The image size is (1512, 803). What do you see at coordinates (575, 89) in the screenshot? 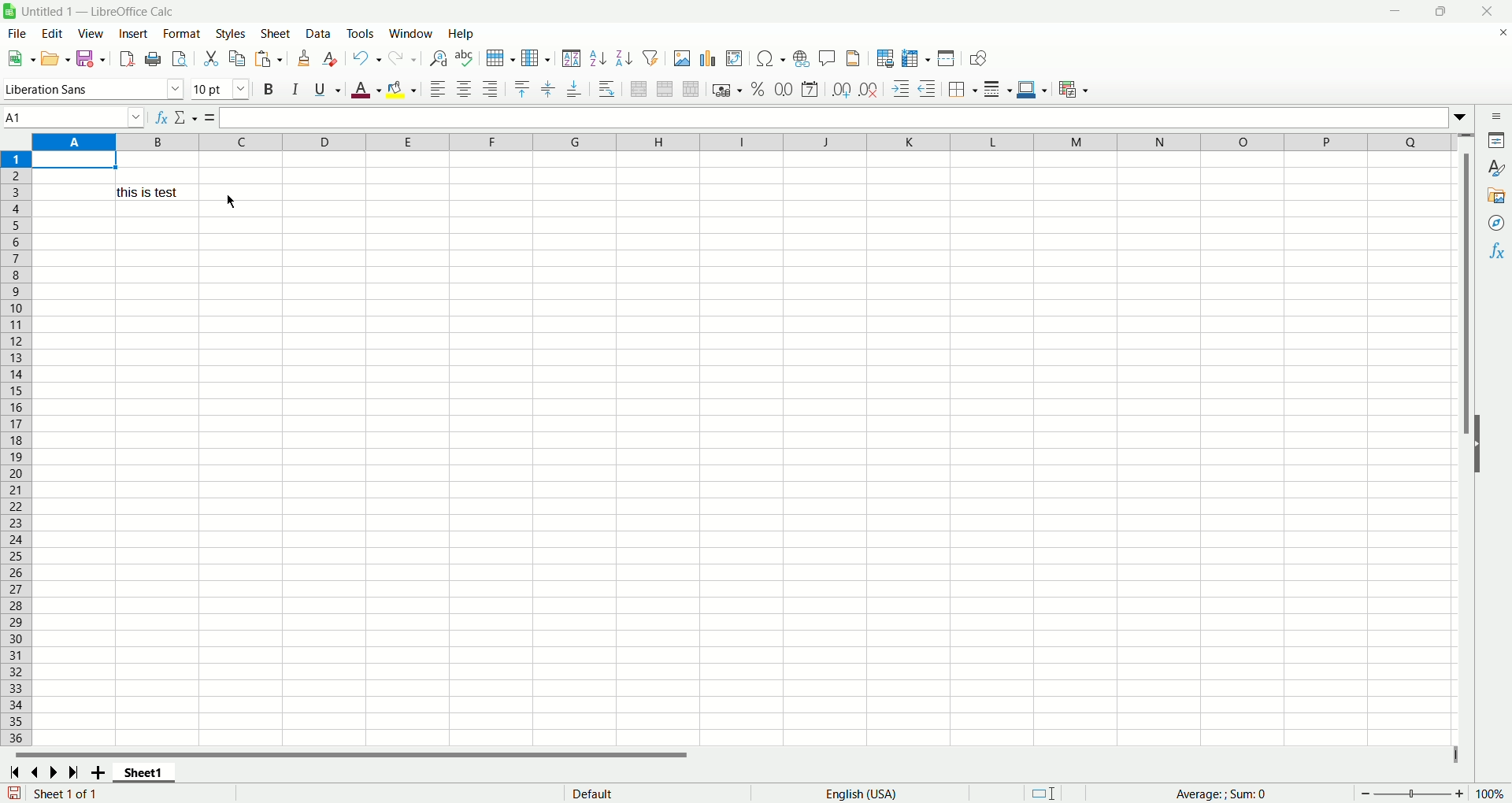
I see `align bottom` at bounding box center [575, 89].